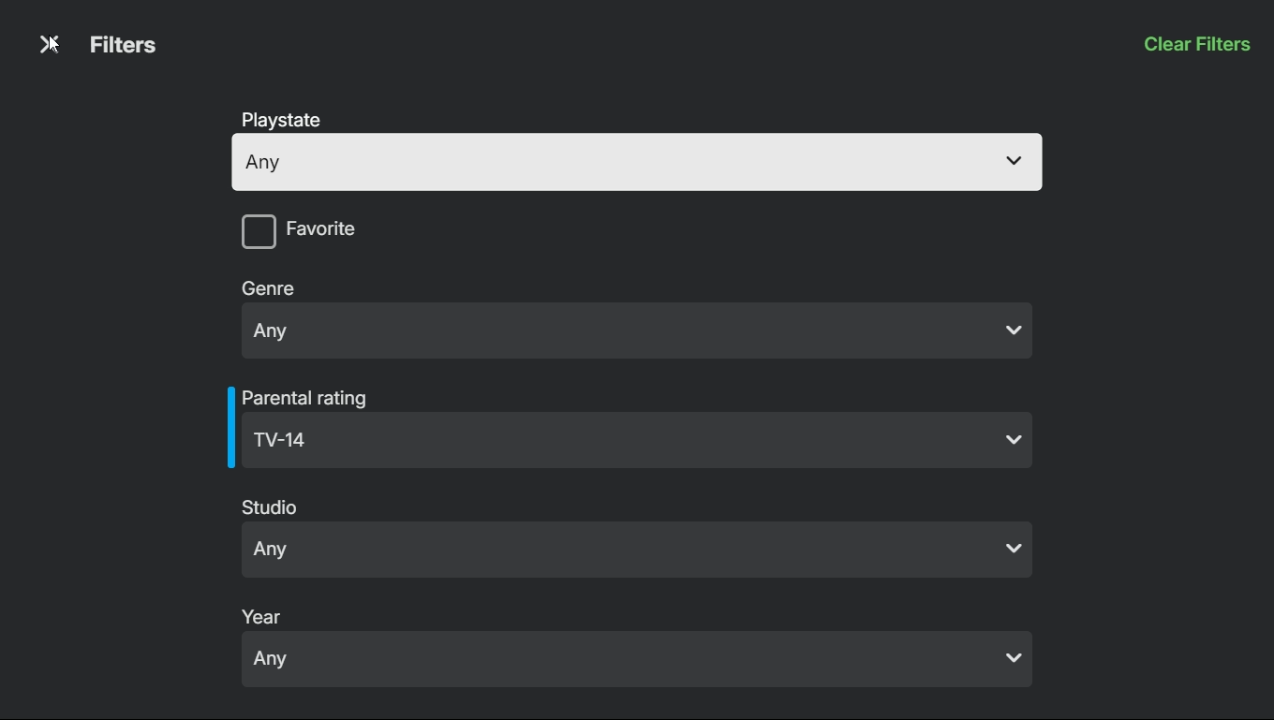 The height and width of the screenshot is (720, 1274). I want to click on mouse pointer, so click(53, 49).